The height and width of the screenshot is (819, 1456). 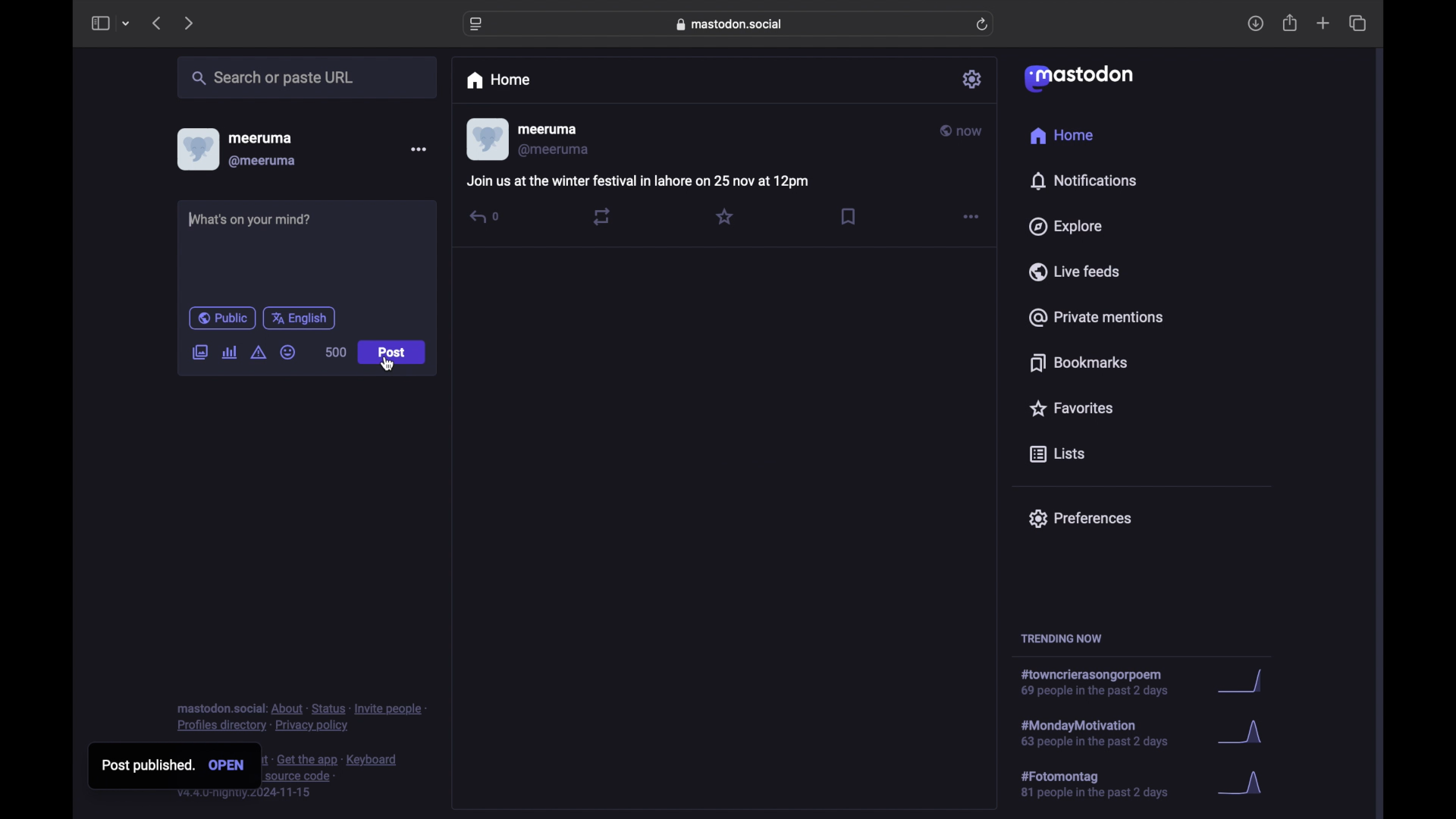 What do you see at coordinates (1357, 24) in the screenshot?
I see `show tab overview` at bounding box center [1357, 24].